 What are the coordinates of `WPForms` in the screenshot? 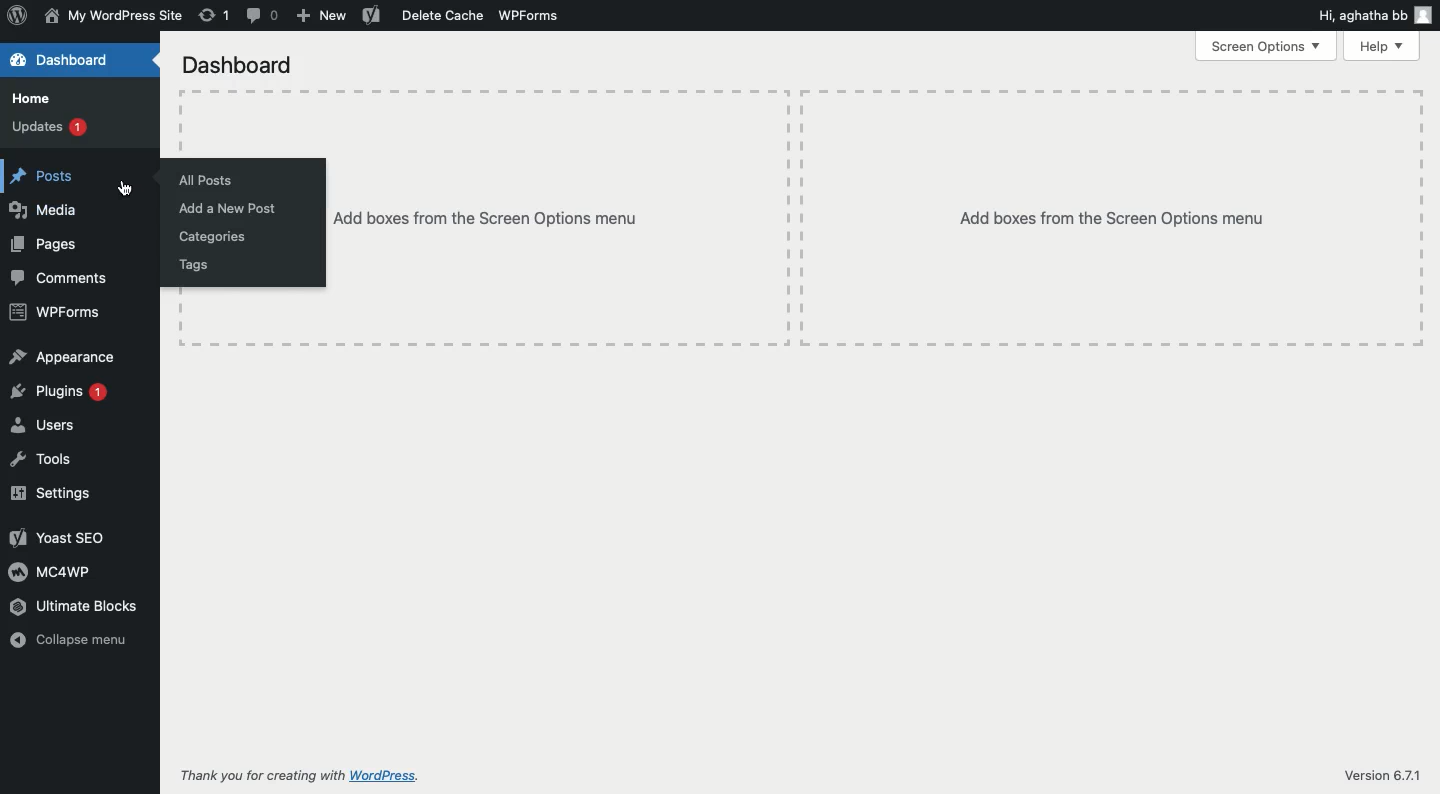 It's located at (532, 20).